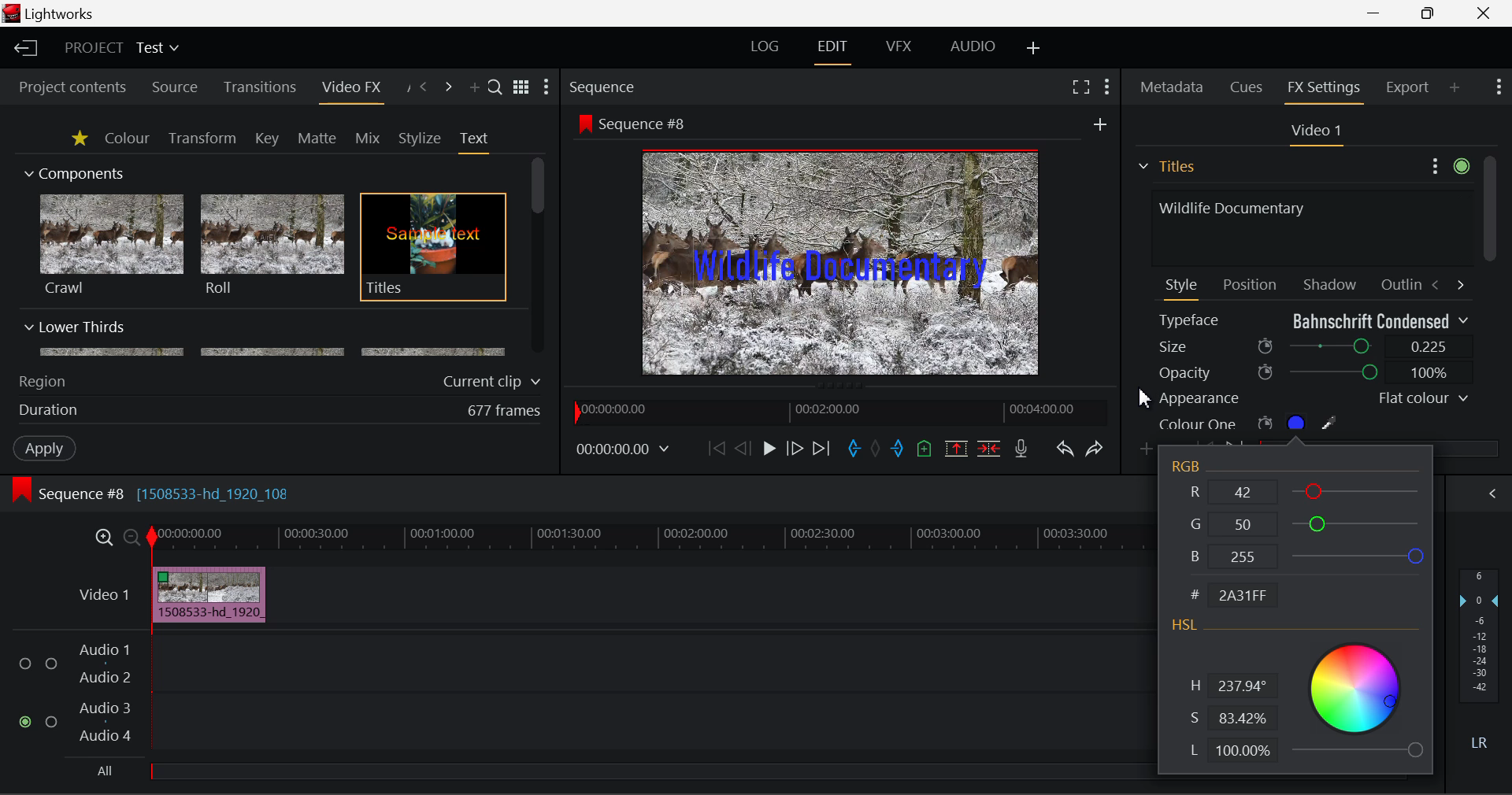 The height and width of the screenshot is (795, 1512). I want to click on G, so click(1306, 521).